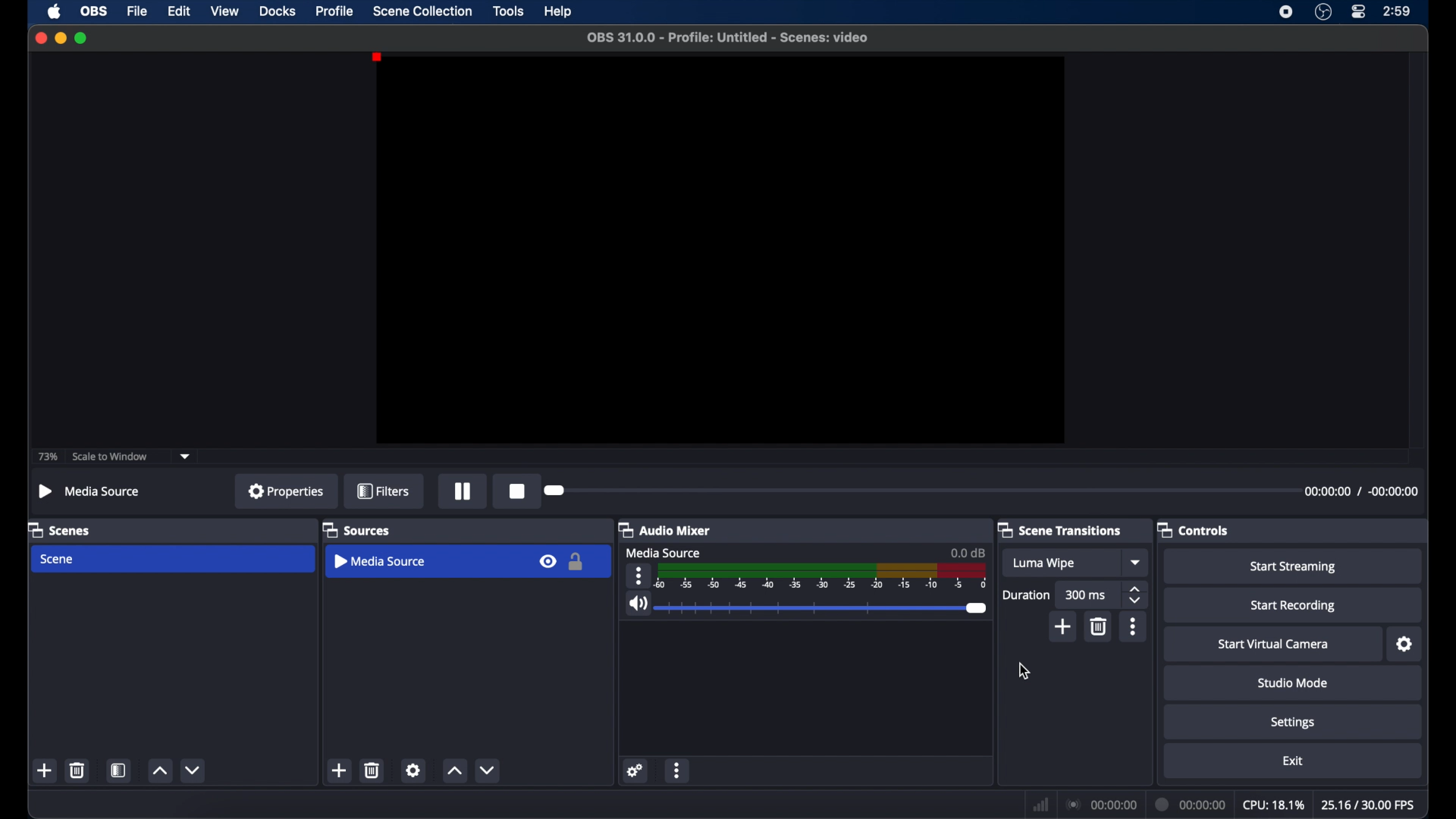  I want to click on time, so click(1398, 11).